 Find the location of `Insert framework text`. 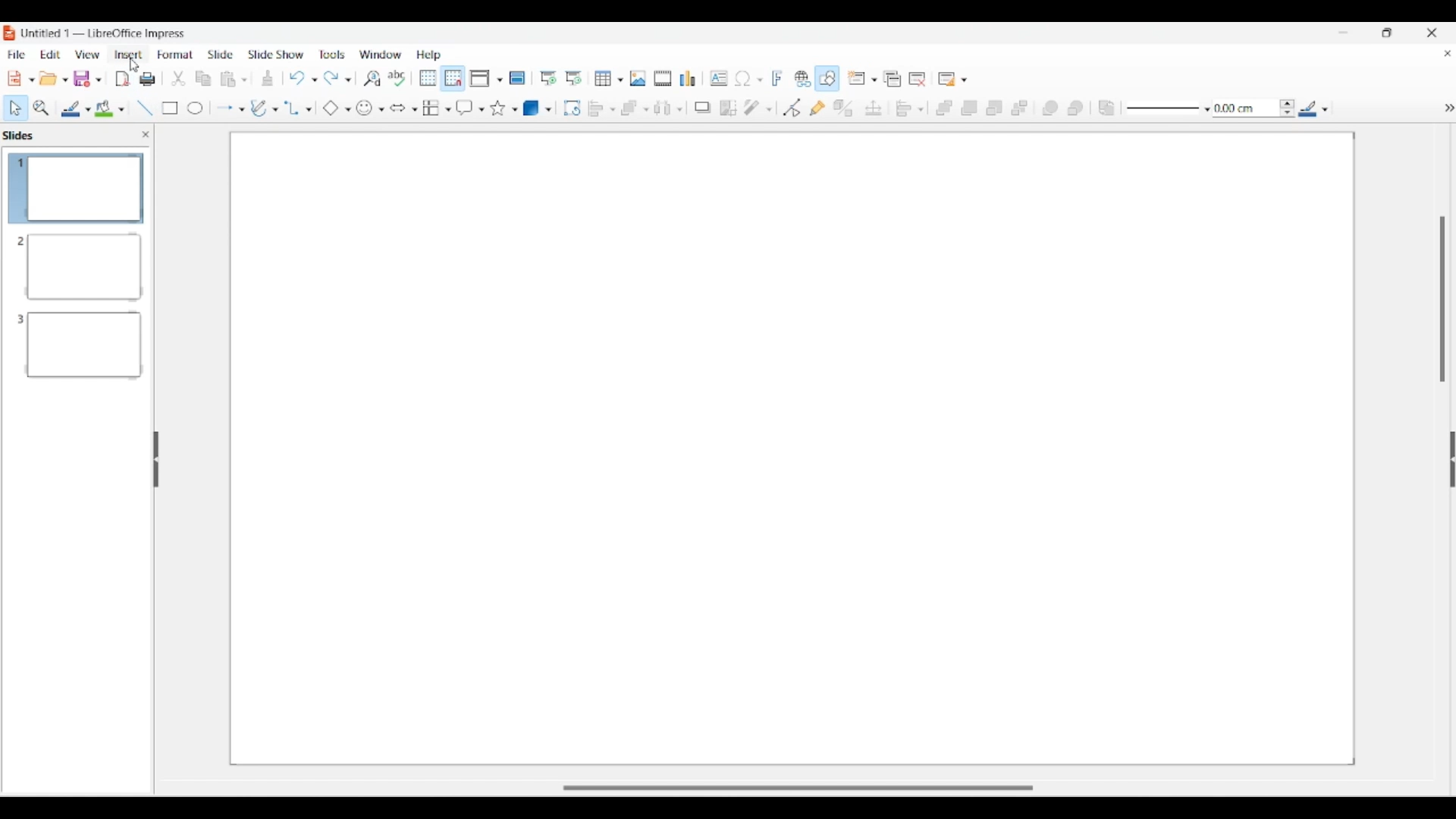

Insert framework text is located at coordinates (777, 78).